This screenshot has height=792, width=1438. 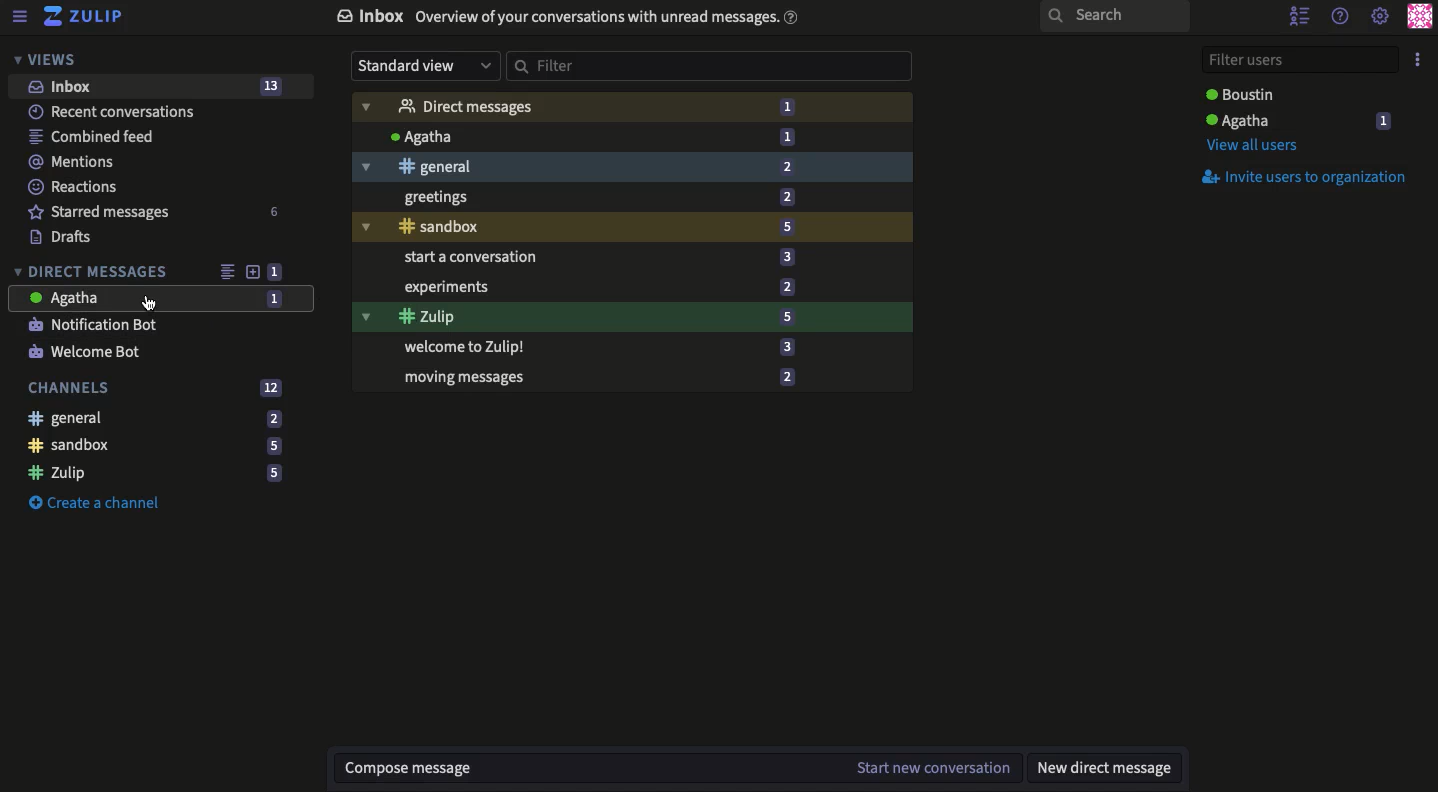 I want to click on Start new conversation, so click(x=934, y=767).